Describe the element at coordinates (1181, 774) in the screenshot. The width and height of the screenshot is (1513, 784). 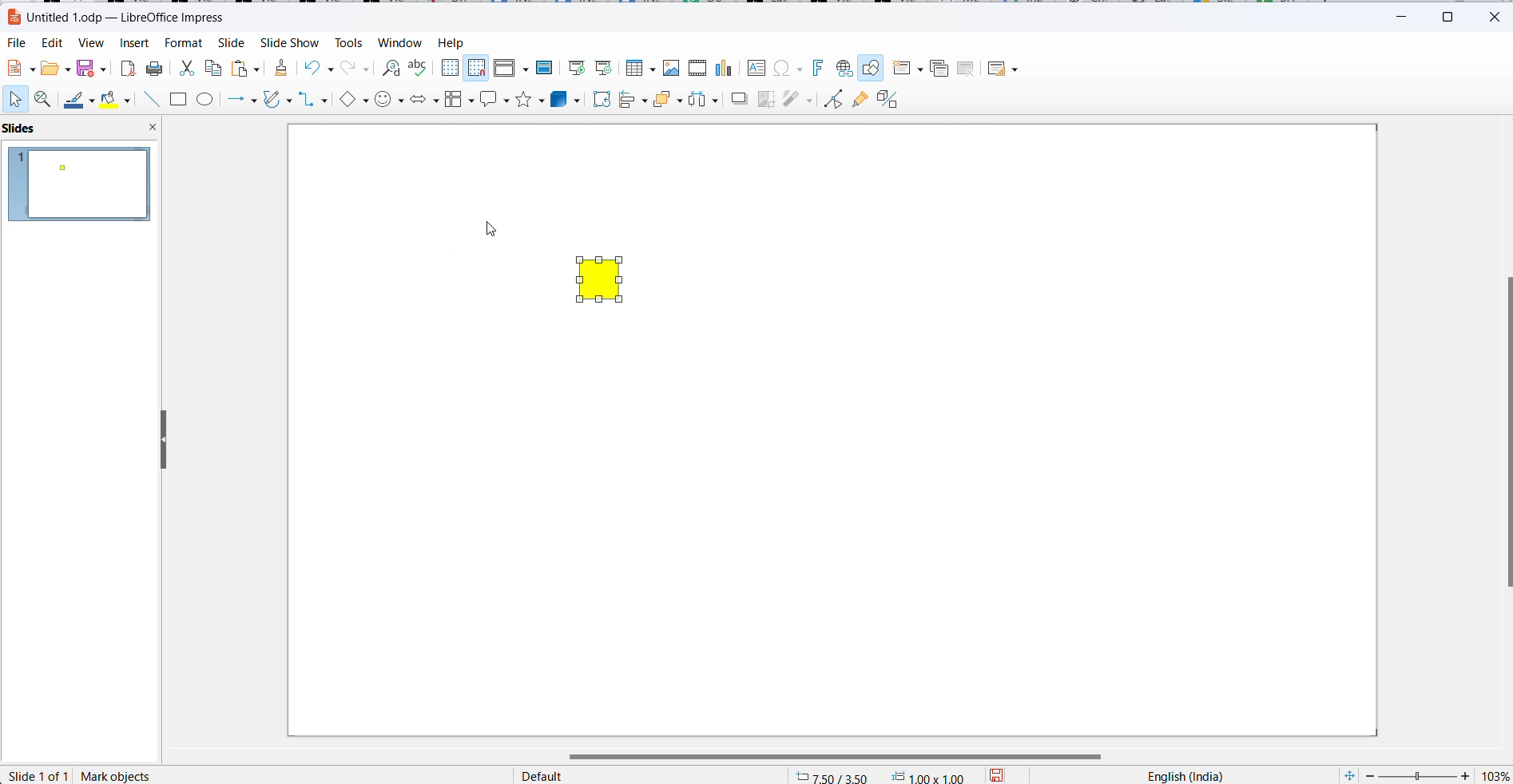
I see `text language` at that location.